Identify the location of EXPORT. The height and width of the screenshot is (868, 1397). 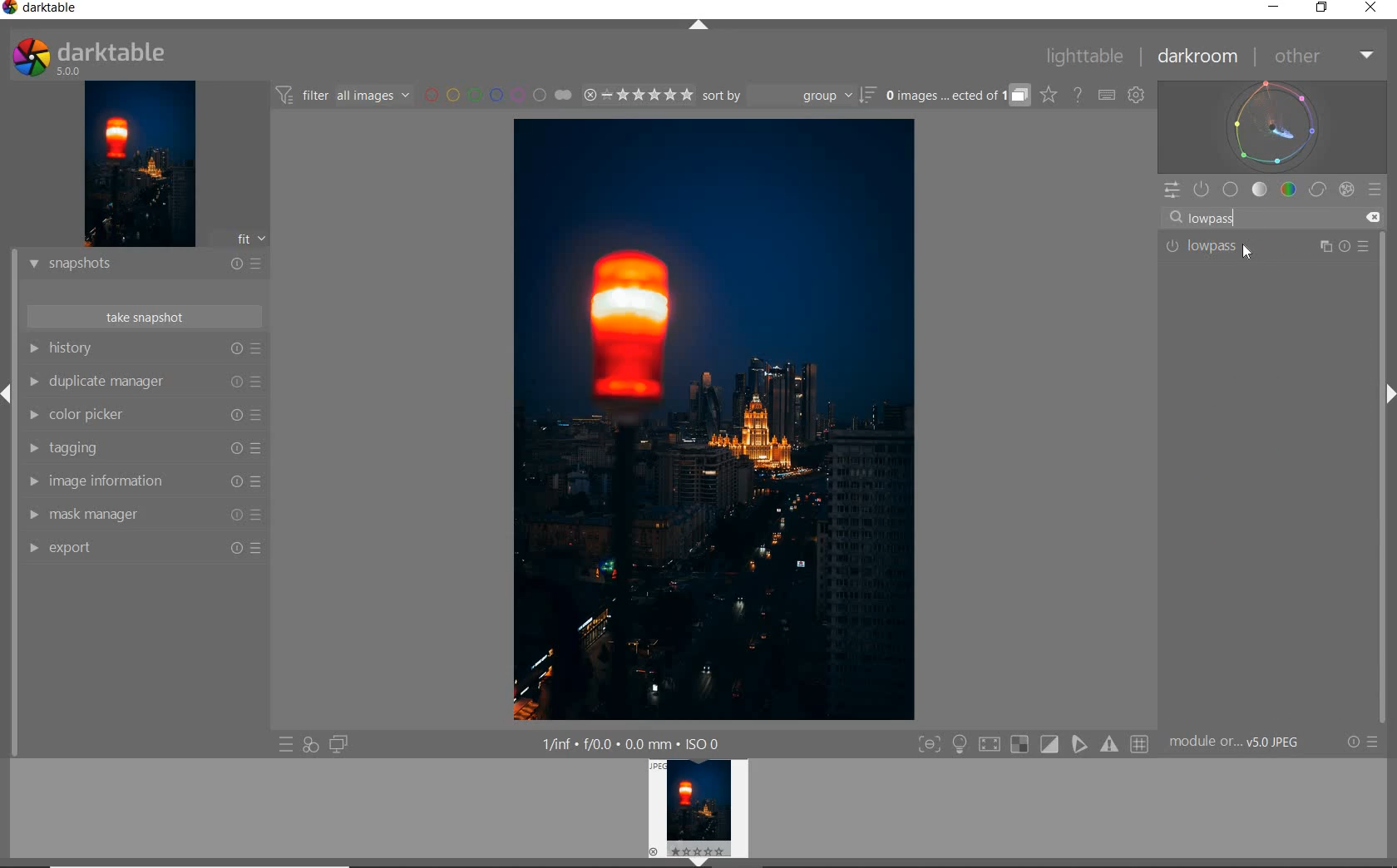
(113, 548).